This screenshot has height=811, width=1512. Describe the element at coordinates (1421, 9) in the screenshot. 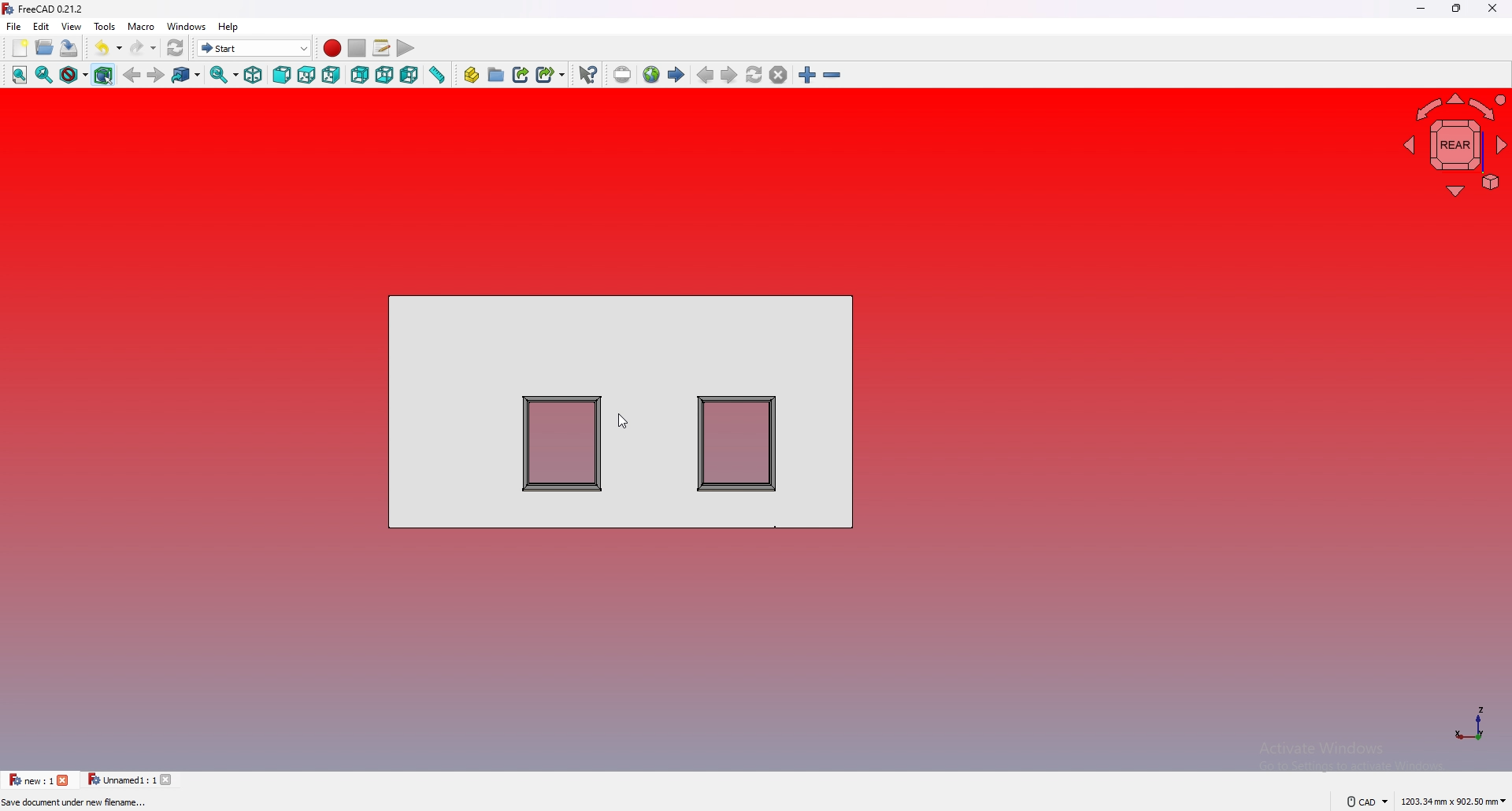

I see `minimize` at that location.